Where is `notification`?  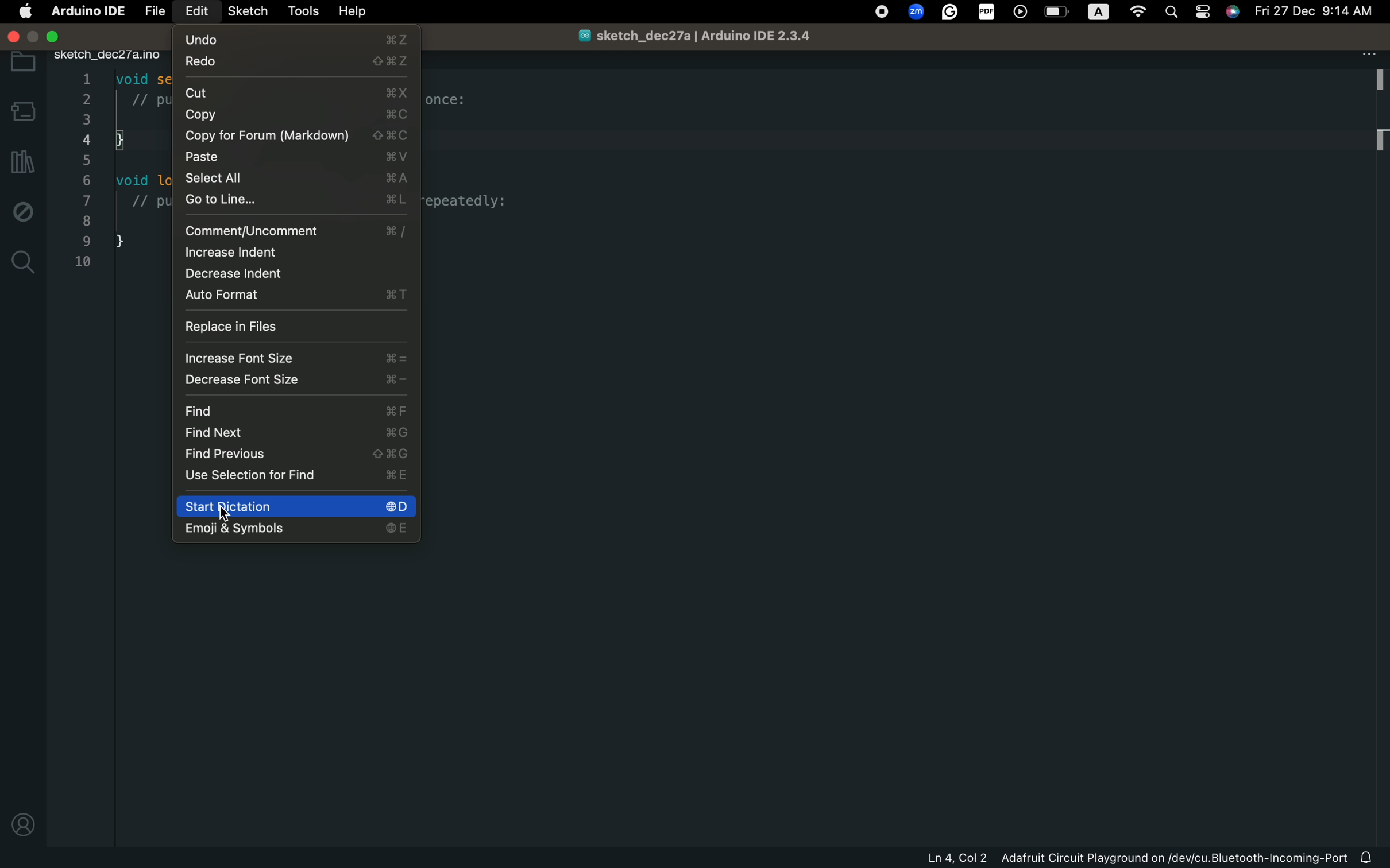
notification is located at coordinates (1367, 859).